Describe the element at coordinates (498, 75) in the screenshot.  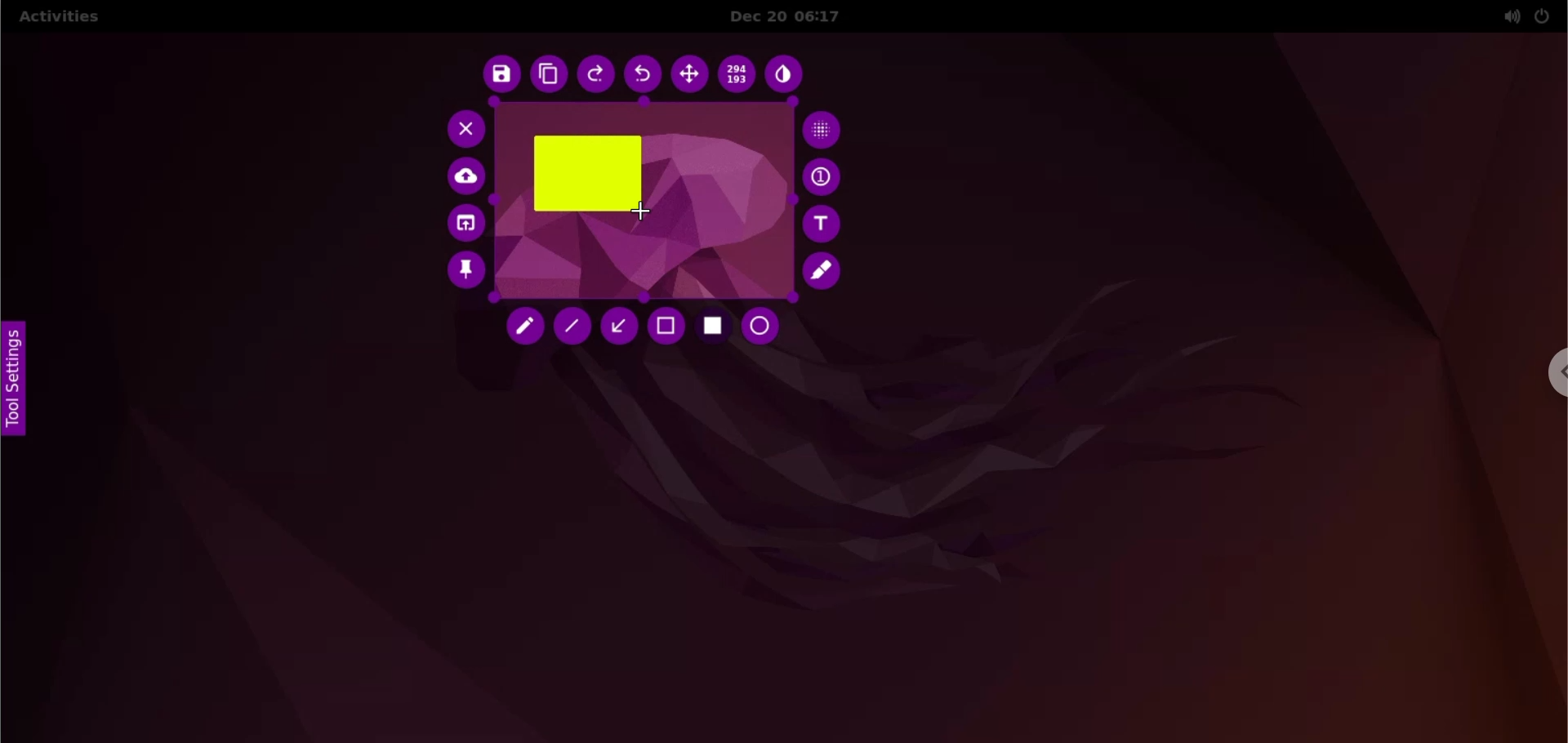
I see `save` at that location.